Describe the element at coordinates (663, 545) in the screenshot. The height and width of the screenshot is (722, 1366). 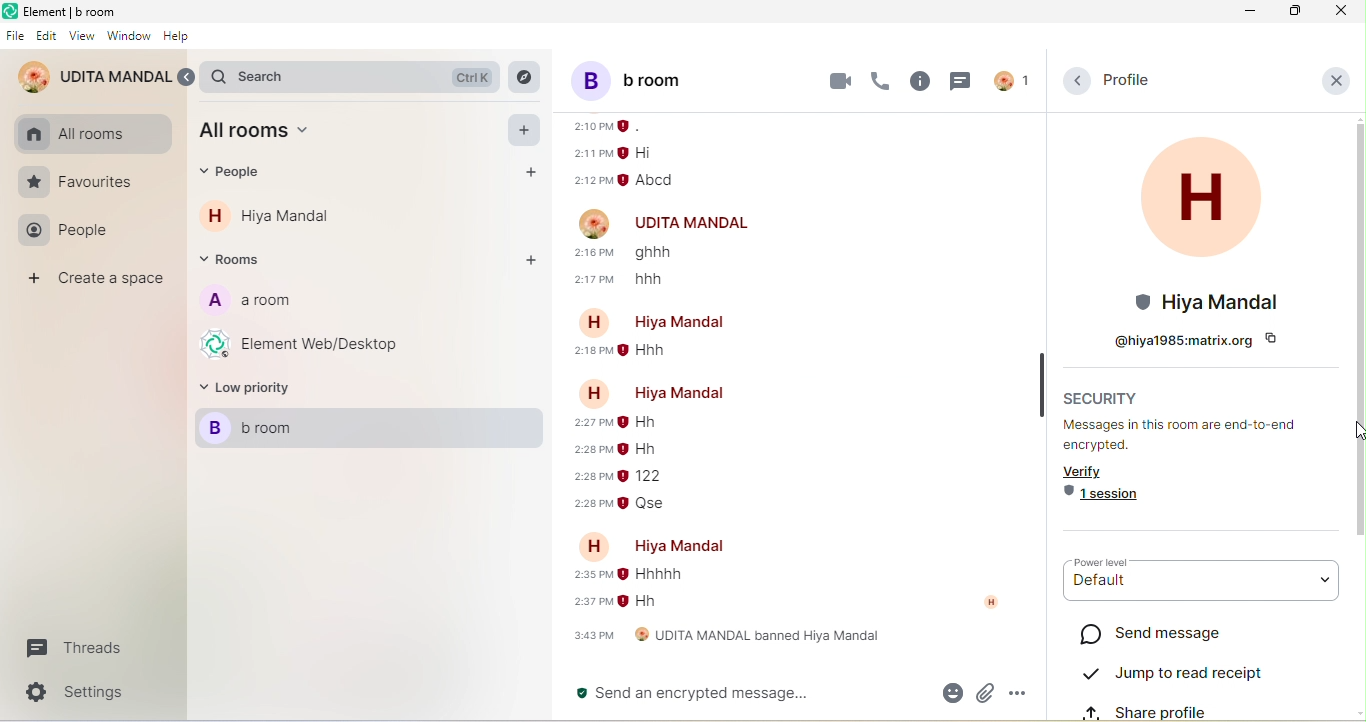
I see `account name-hiya mandal` at that location.